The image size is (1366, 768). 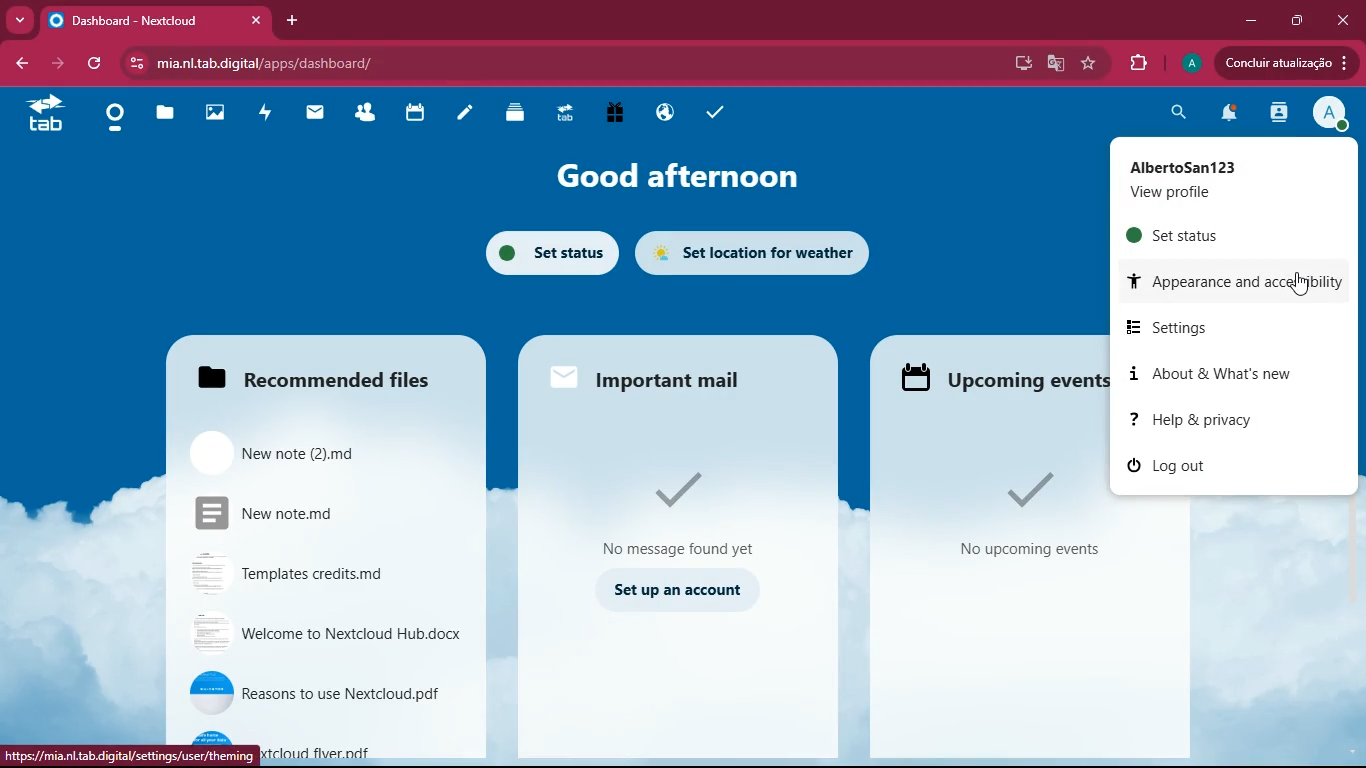 I want to click on log out, so click(x=1218, y=466).